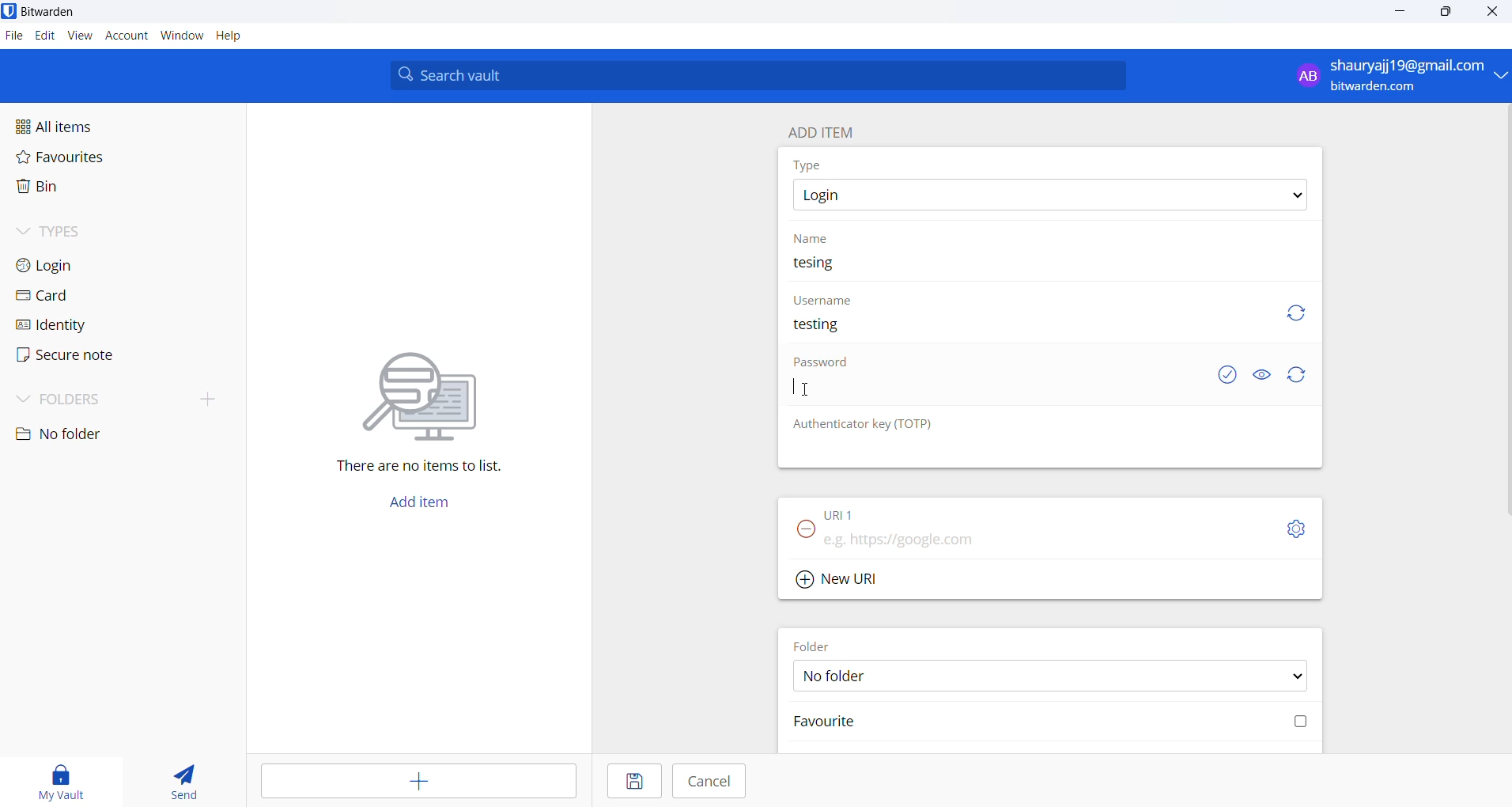 The height and width of the screenshot is (807, 1512). What do you see at coordinates (55, 12) in the screenshot?
I see `application name` at bounding box center [55, 12].